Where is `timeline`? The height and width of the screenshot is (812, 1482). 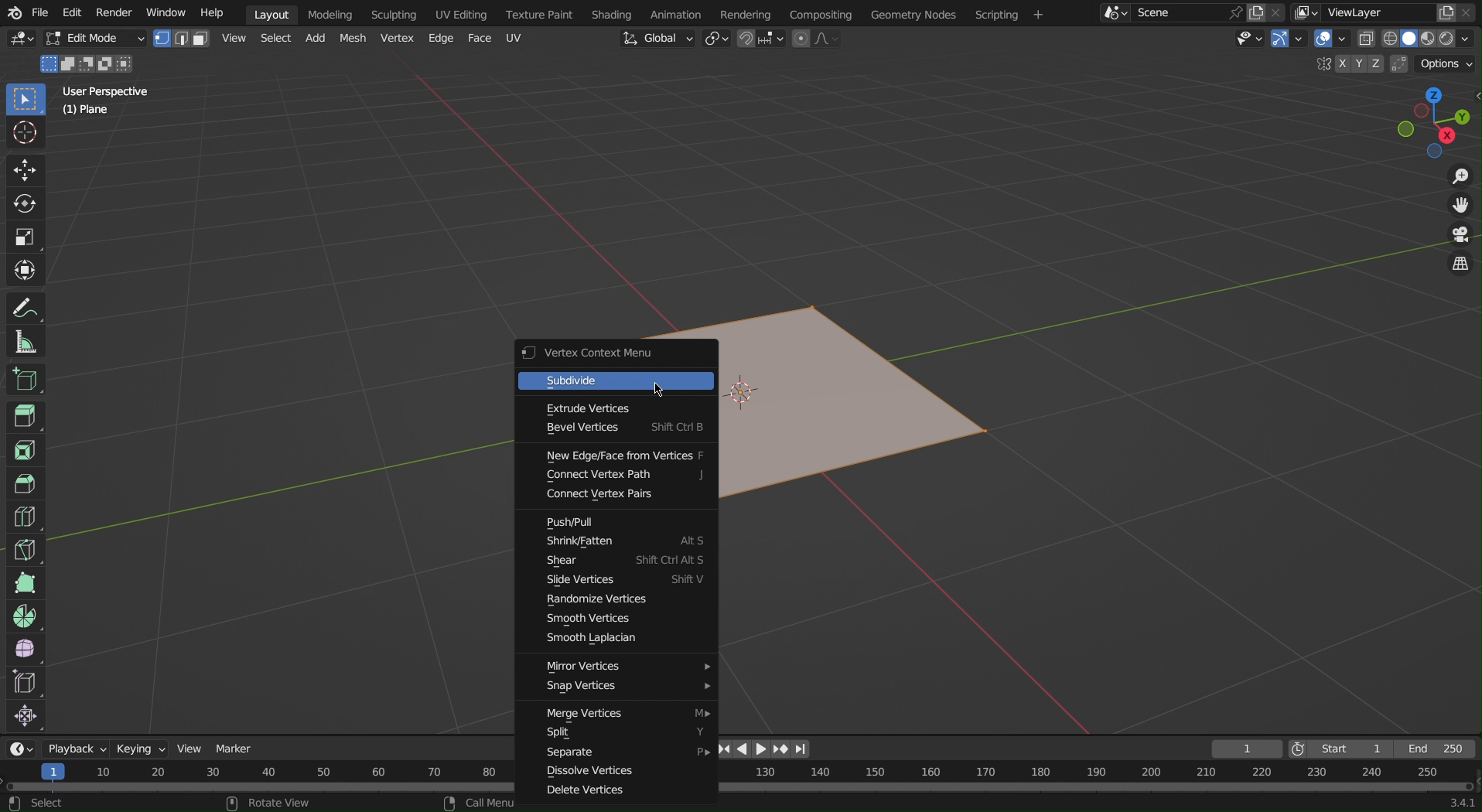 timeline is located at coordinates (1096, 780).